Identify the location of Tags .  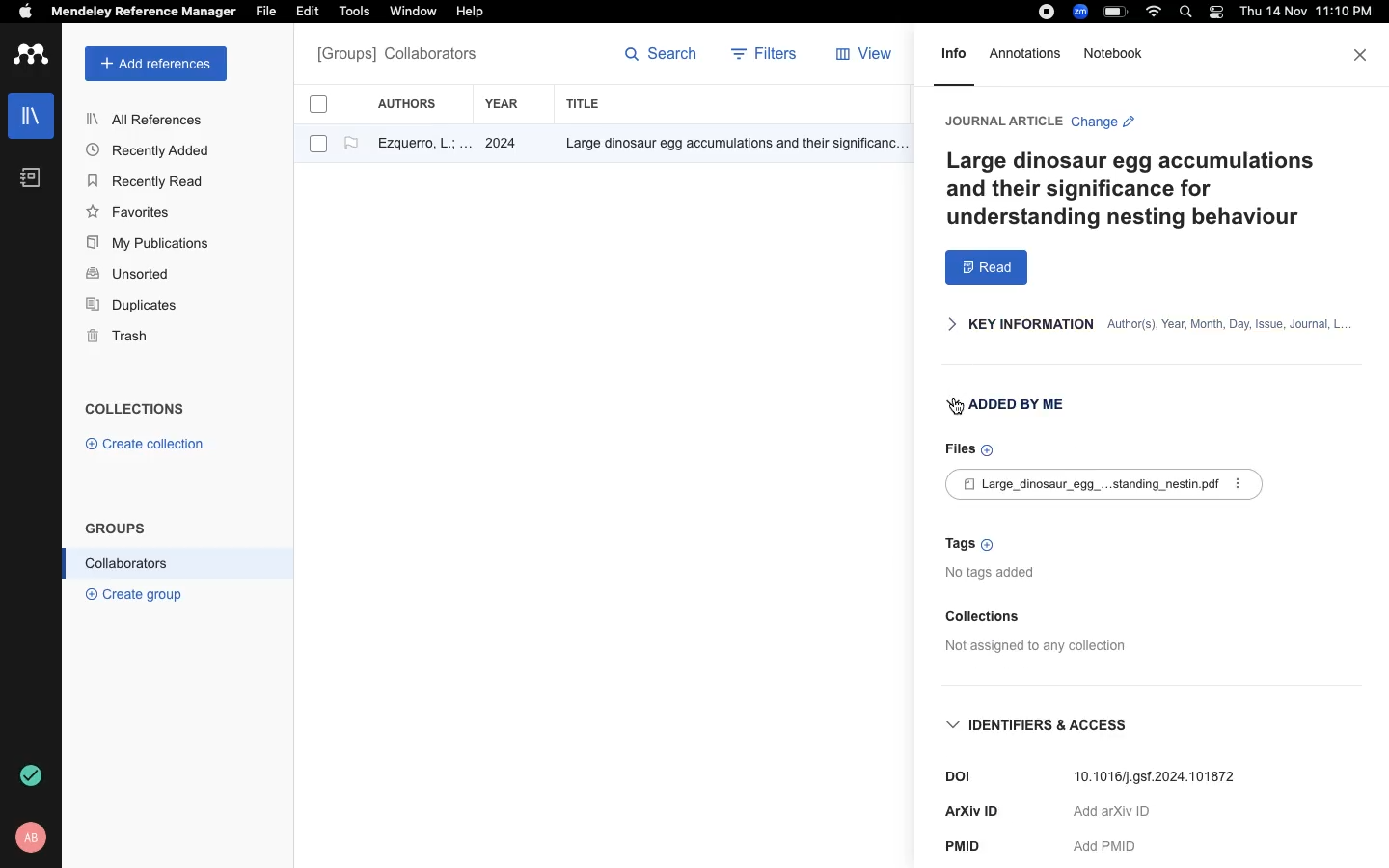
(966, 545).